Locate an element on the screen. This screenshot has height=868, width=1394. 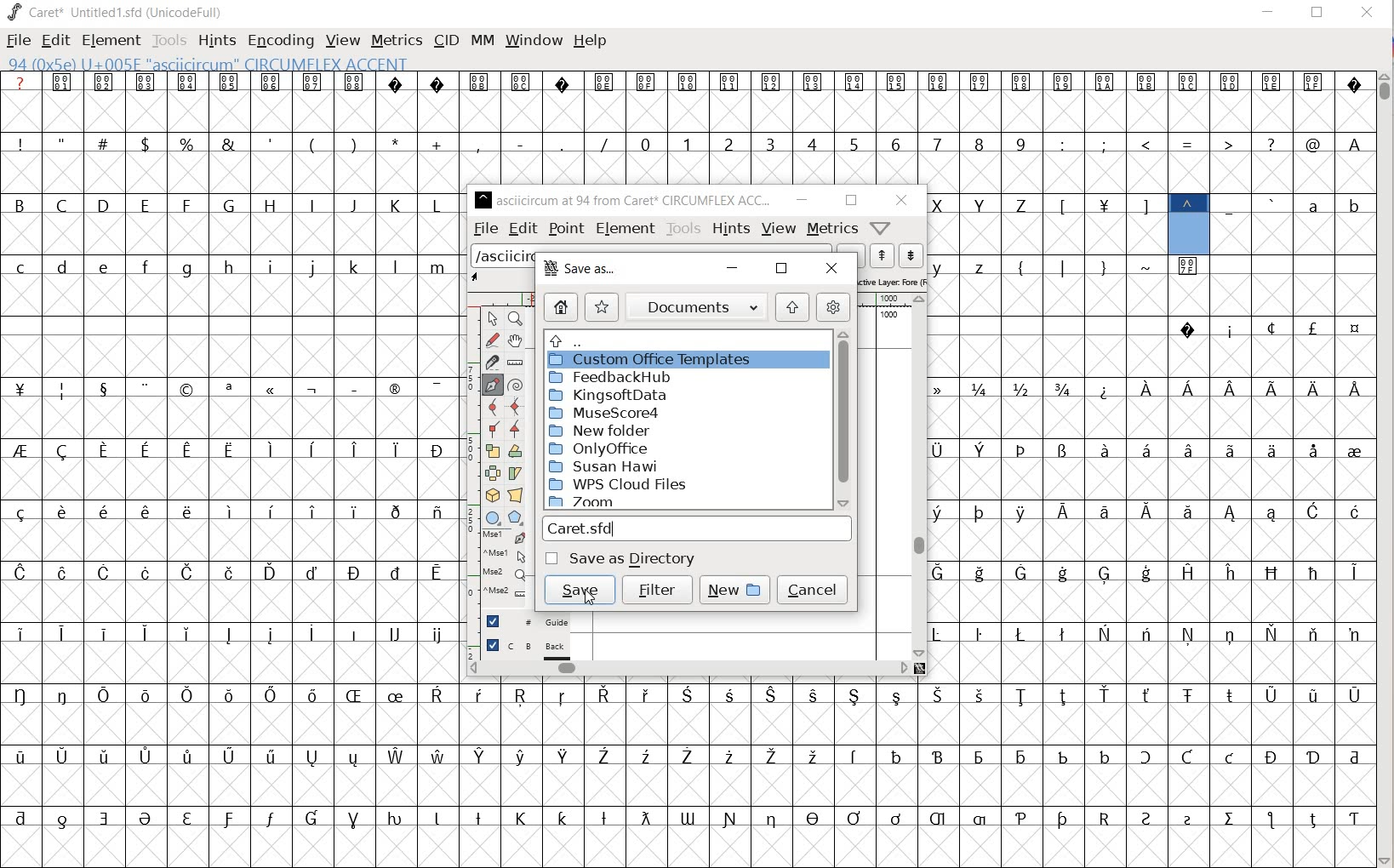
WINDOW is located at coordinates (532, 39).